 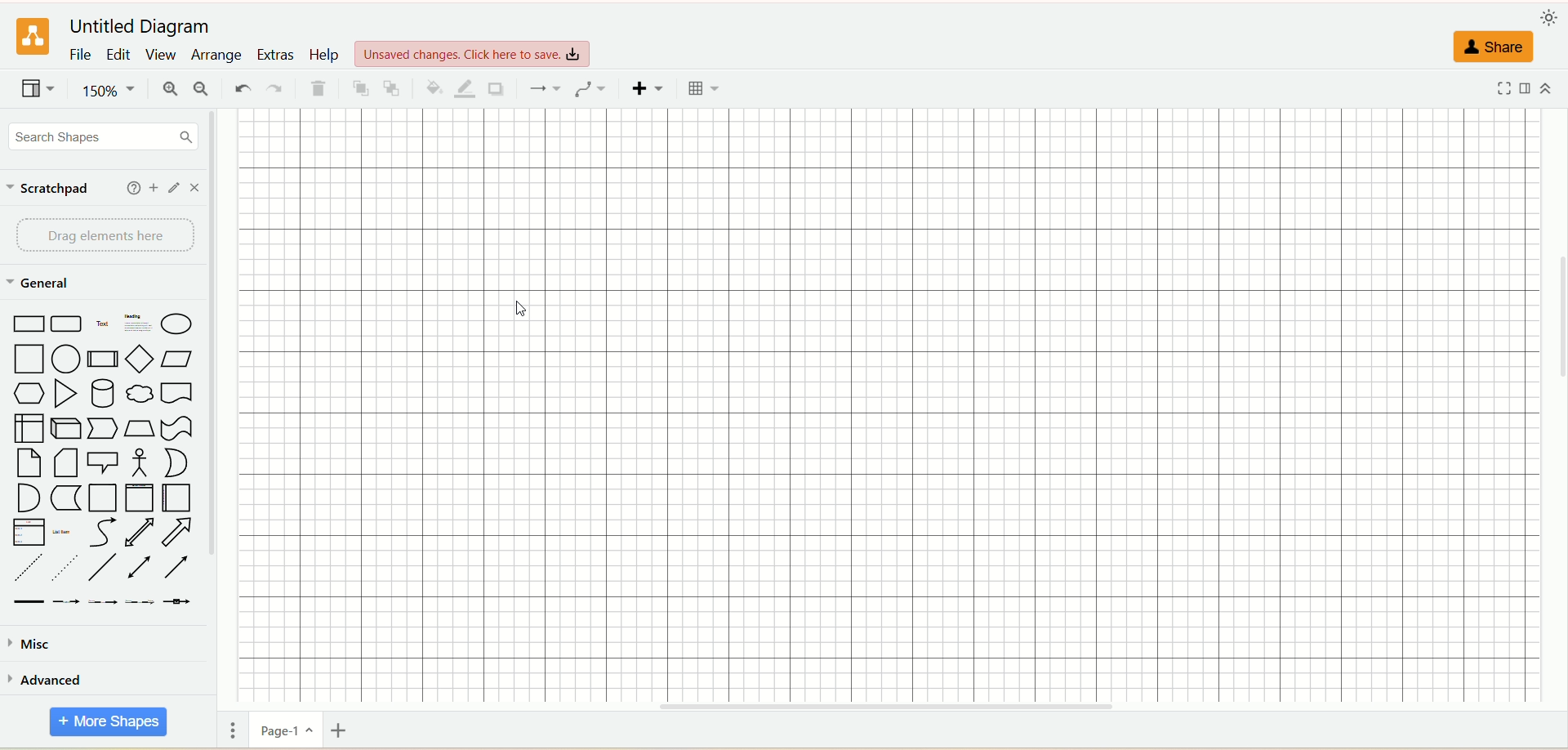 What do you see at coordinates (175, 462) in the screenshot?
I see `or` at bounding box center [175, 462].